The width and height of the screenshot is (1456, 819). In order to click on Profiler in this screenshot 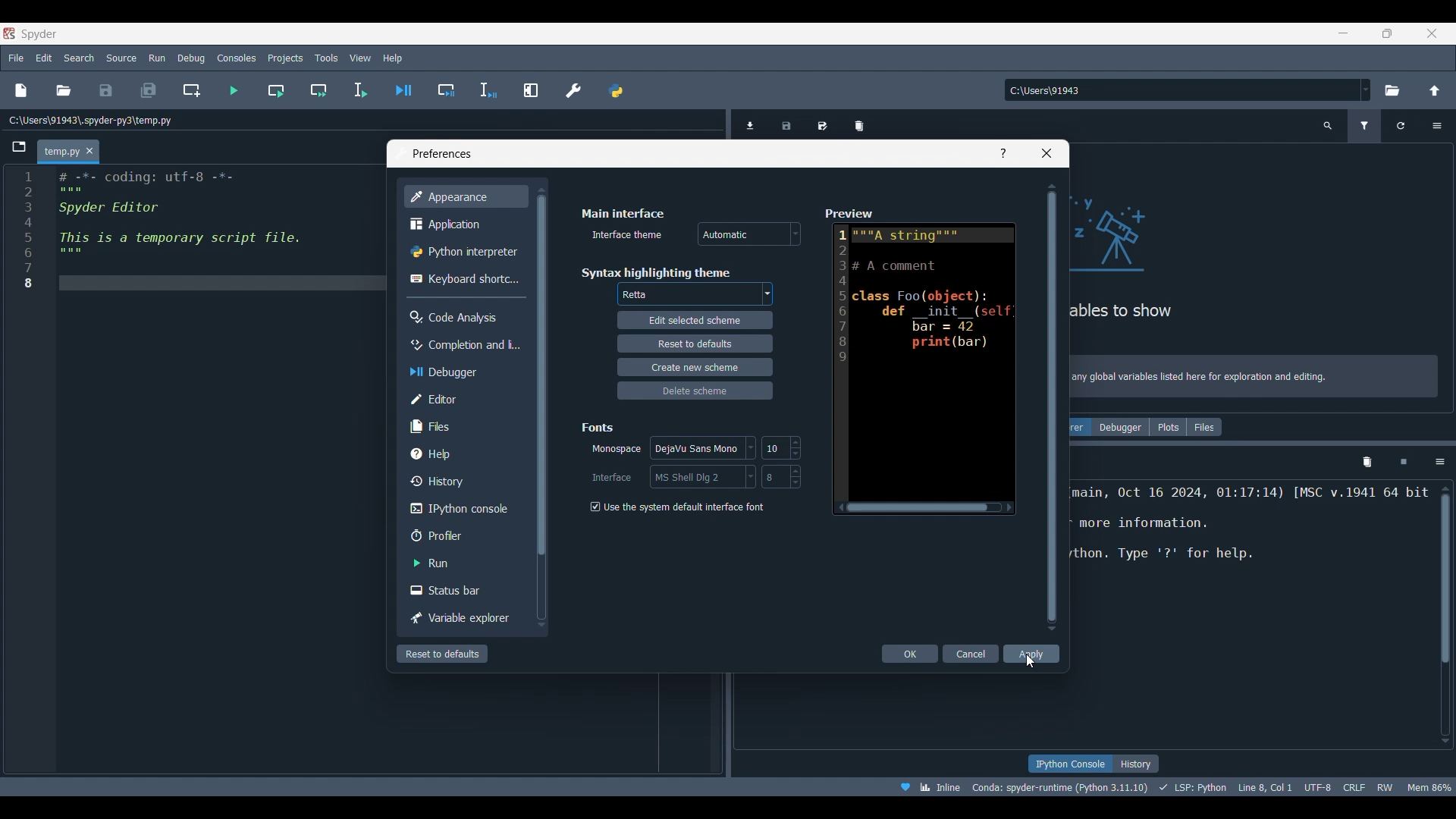, I will do `click(465, 535)`.